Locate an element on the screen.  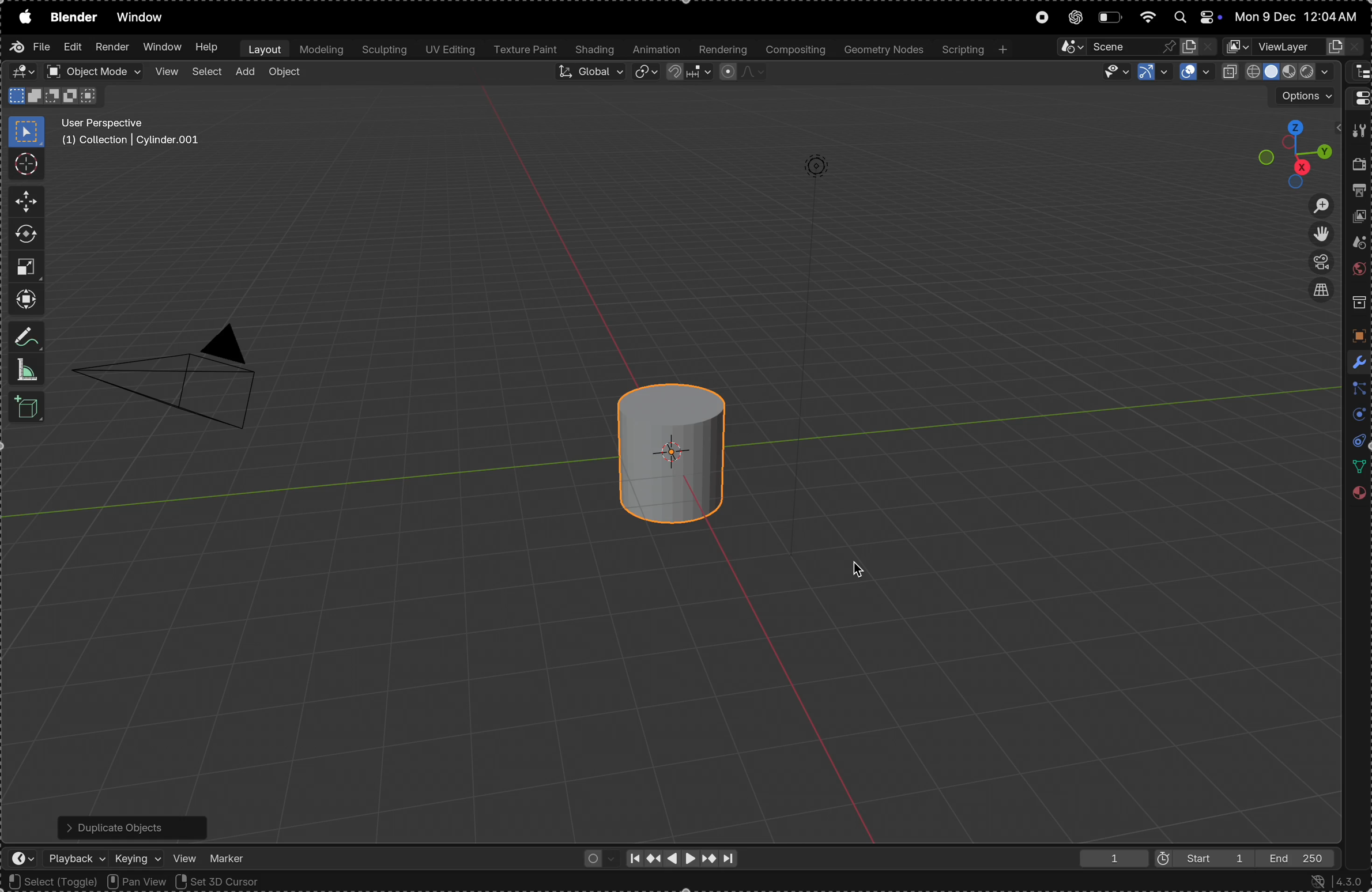
record is located at coordinates (1041, 18).